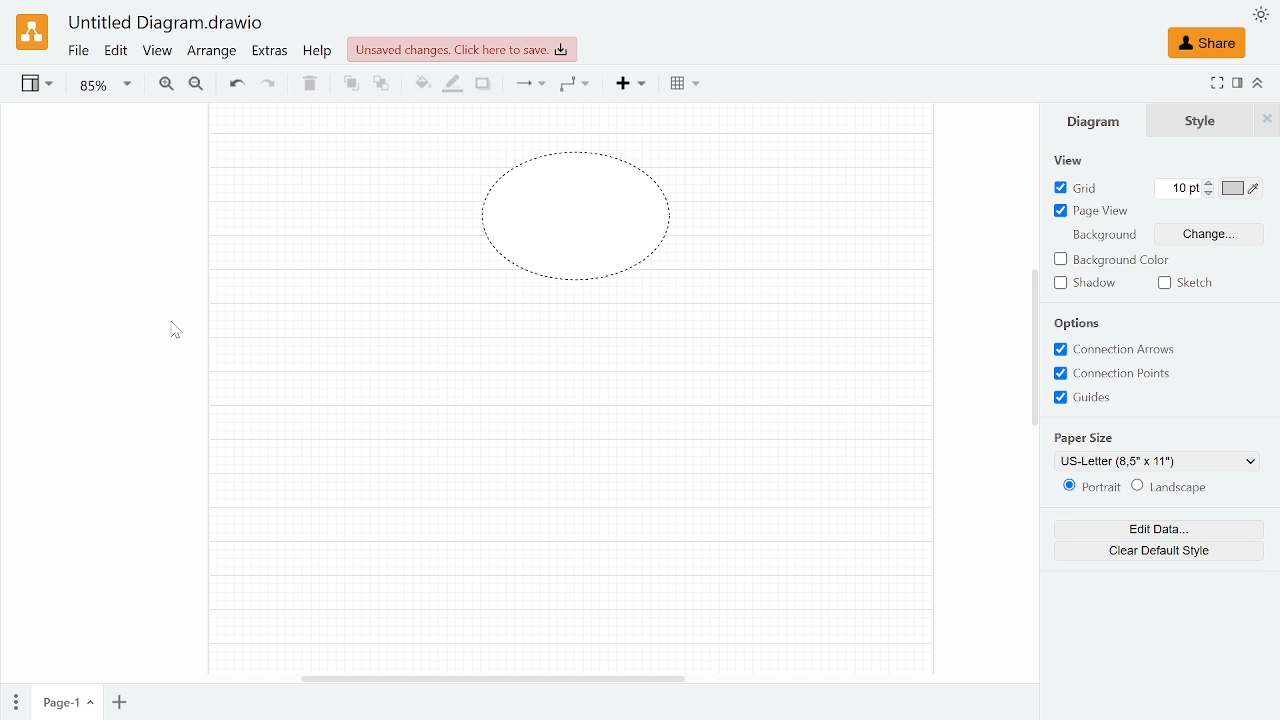  Describe the element at coordinates (165, 85) in the screenshot. I see `Zoom in` at that location.